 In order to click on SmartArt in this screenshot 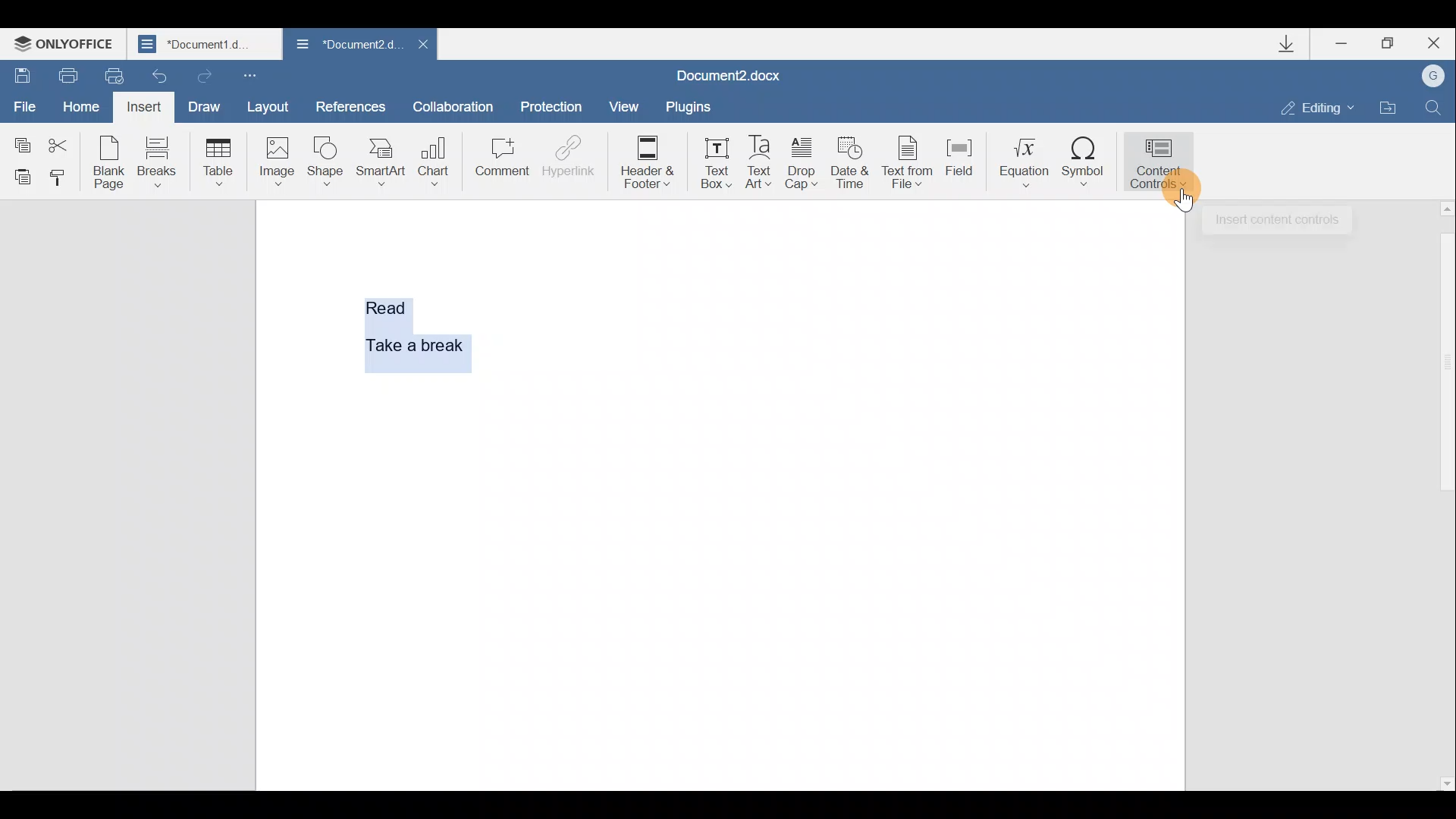, I will do `click(381, 162)`.